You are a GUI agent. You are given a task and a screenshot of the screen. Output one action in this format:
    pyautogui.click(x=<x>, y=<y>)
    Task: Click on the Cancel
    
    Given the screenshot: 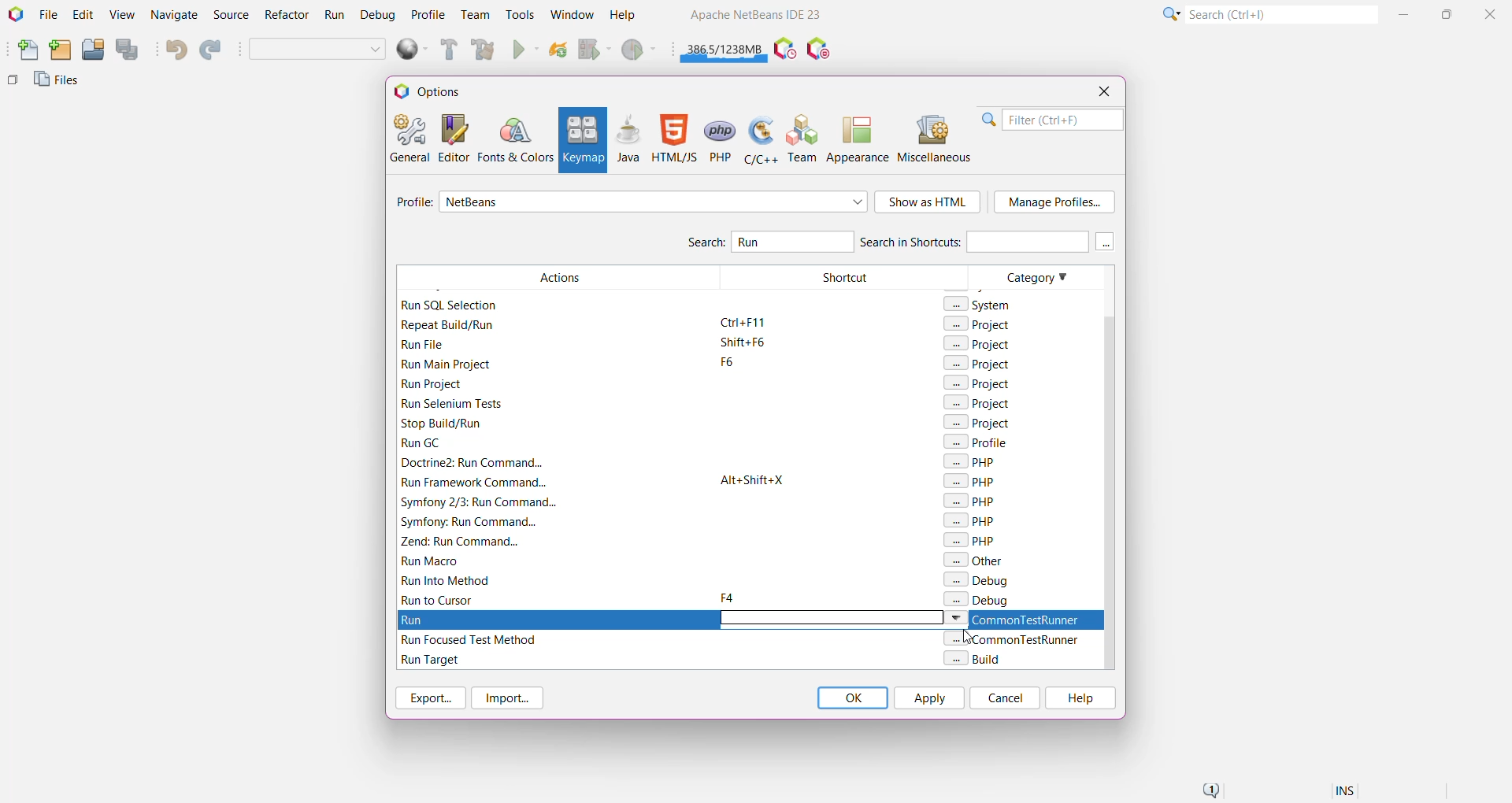 What is the action you would take?
    pyautogui.click(x=1005, y=698)
    